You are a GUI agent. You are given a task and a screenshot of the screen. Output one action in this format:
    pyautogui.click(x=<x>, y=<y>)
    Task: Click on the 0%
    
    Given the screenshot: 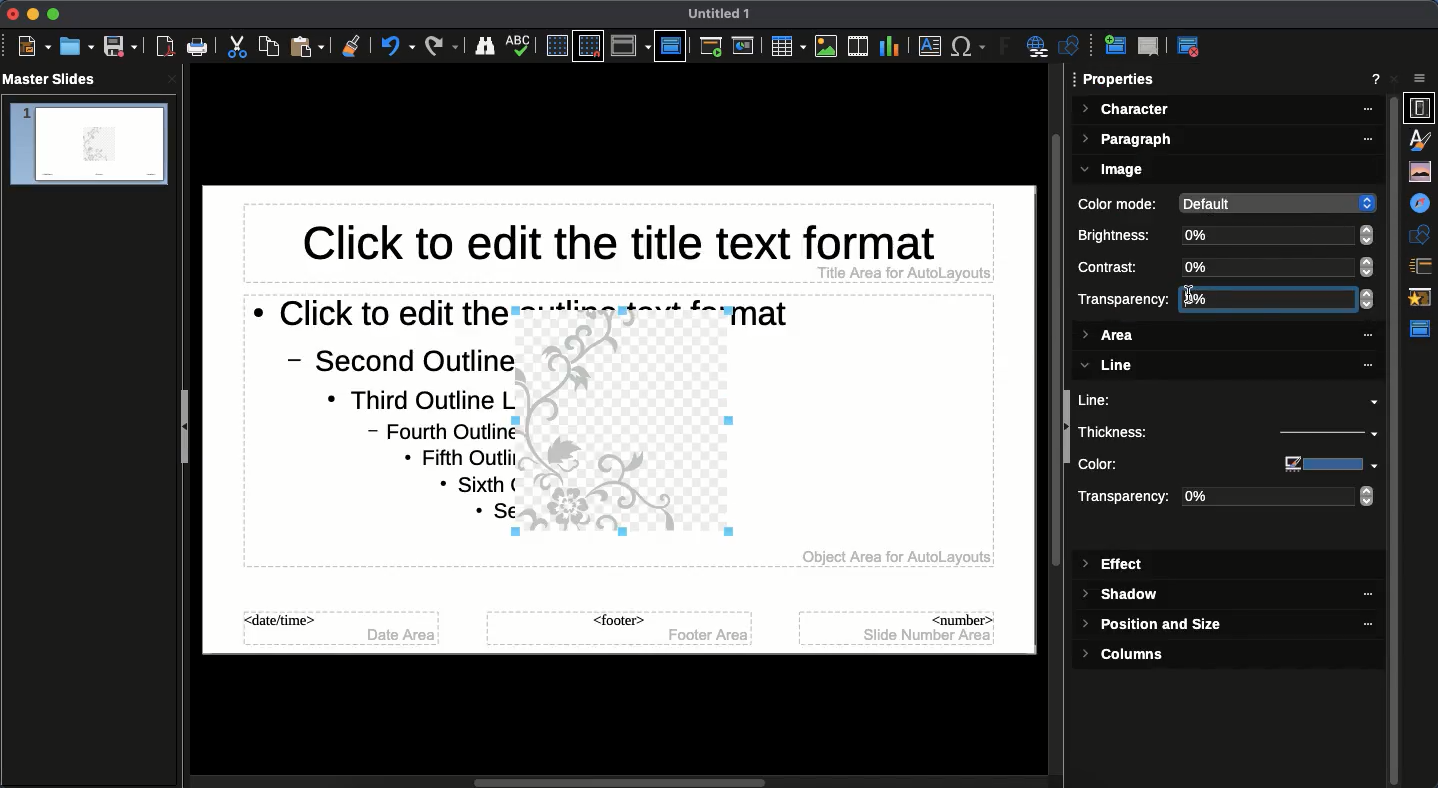 What is the action you would take?
    pyautogui.click(x=1277, y=235)
    